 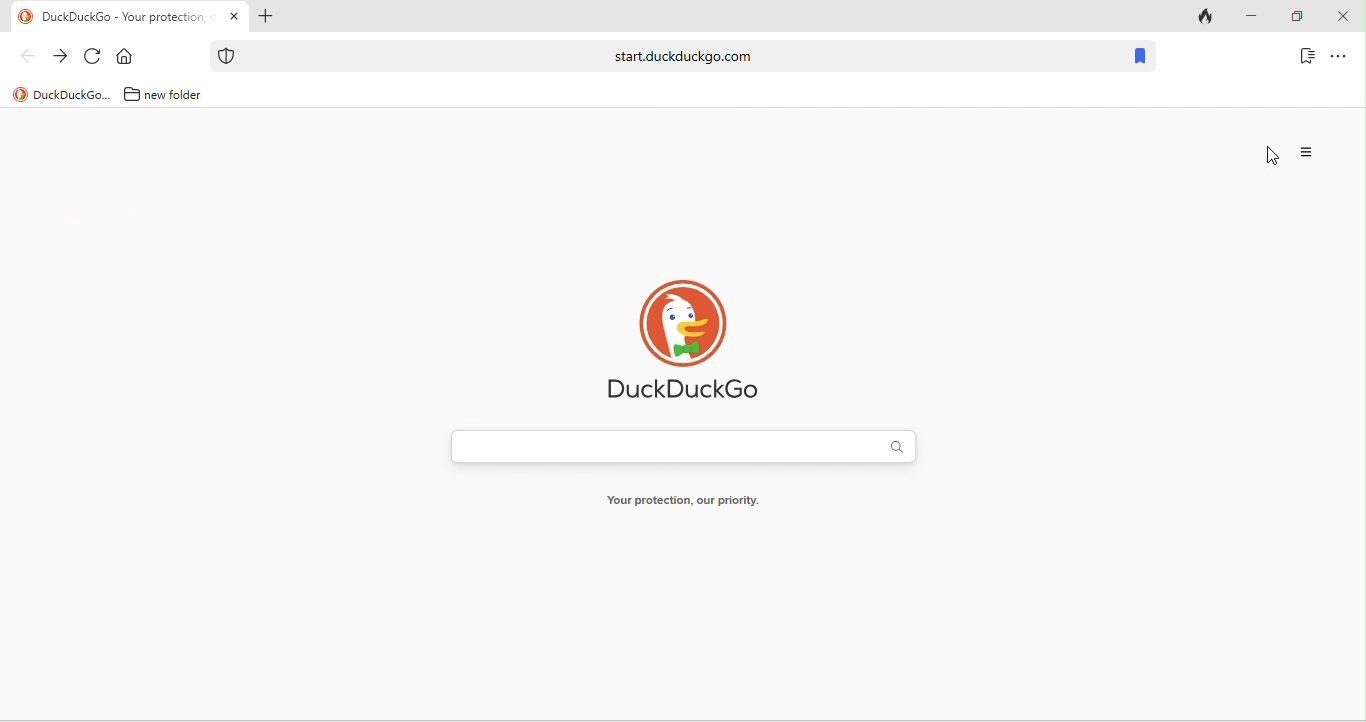 I want to click on forward, so click(x=58, y=57).